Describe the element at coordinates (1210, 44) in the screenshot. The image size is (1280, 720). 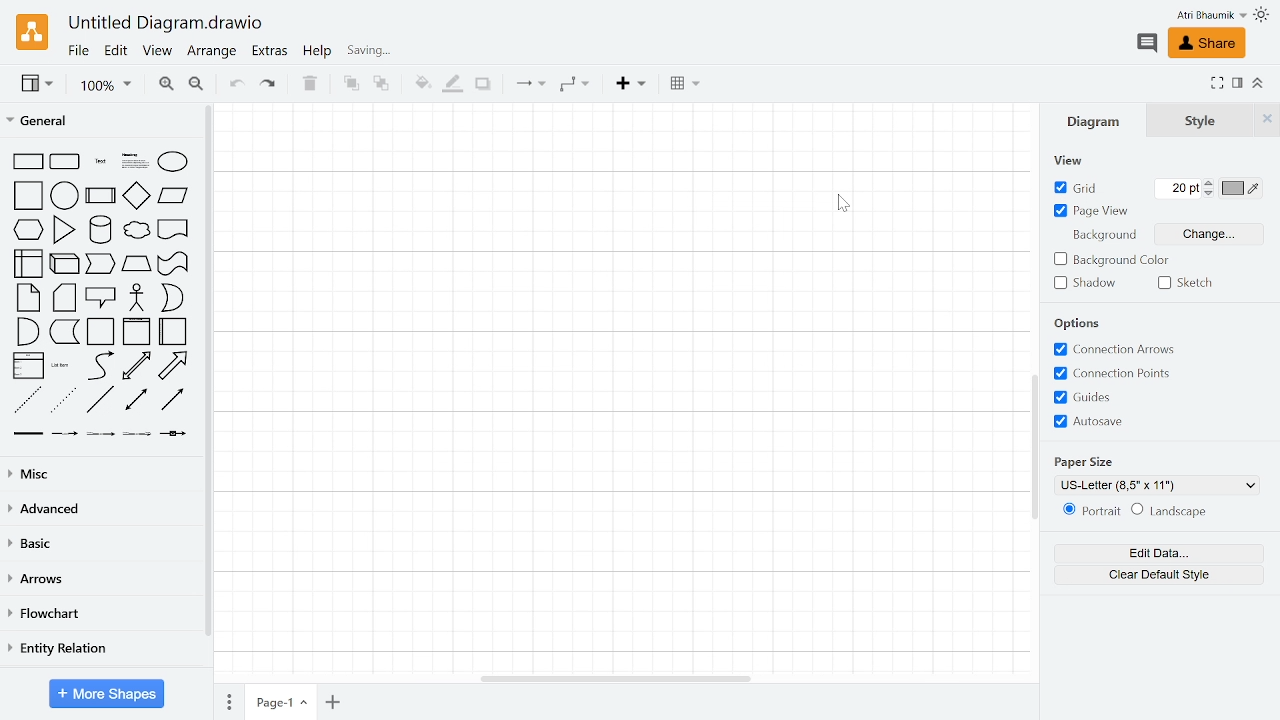
I see `Share` at that location.